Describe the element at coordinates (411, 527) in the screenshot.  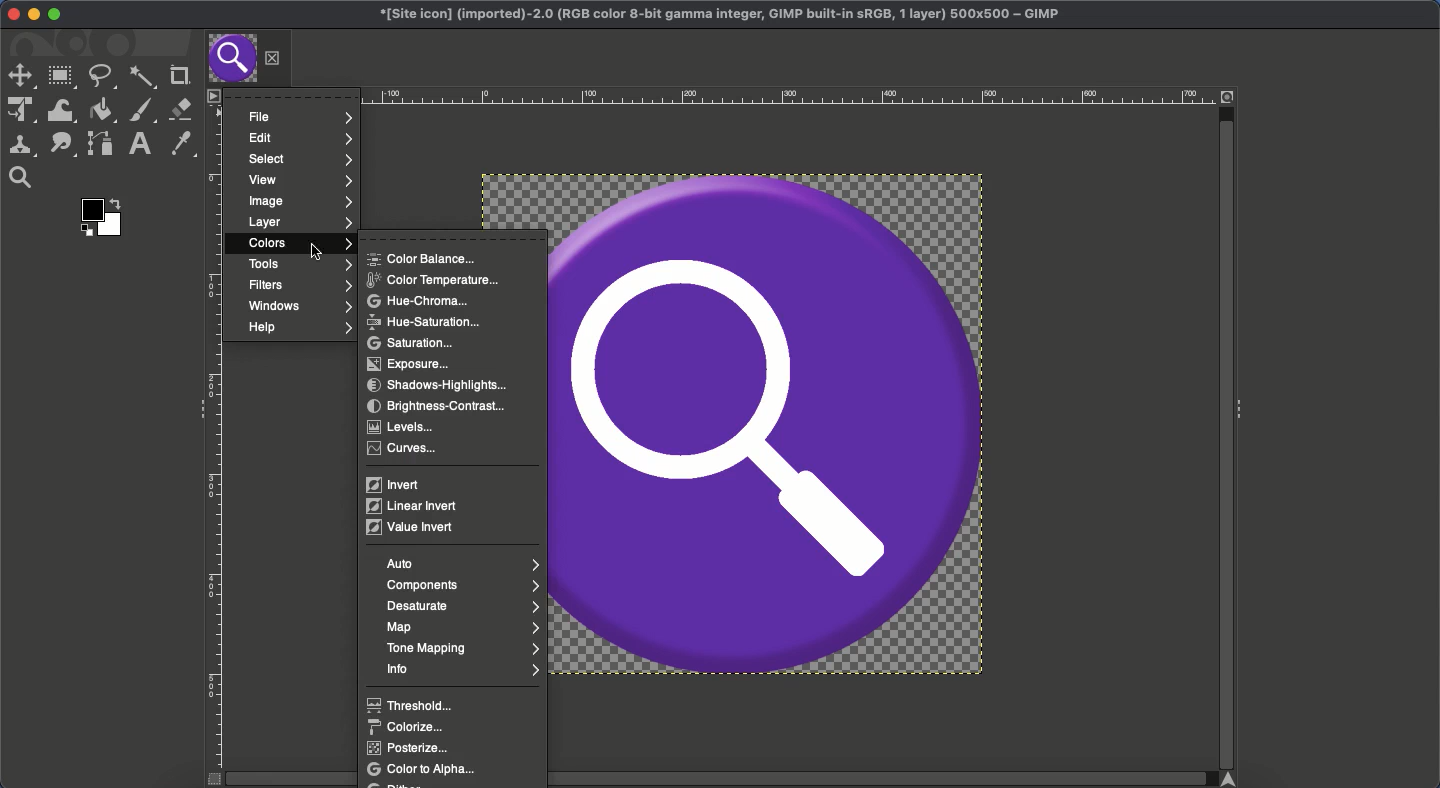
I see `Value invert` at that location.